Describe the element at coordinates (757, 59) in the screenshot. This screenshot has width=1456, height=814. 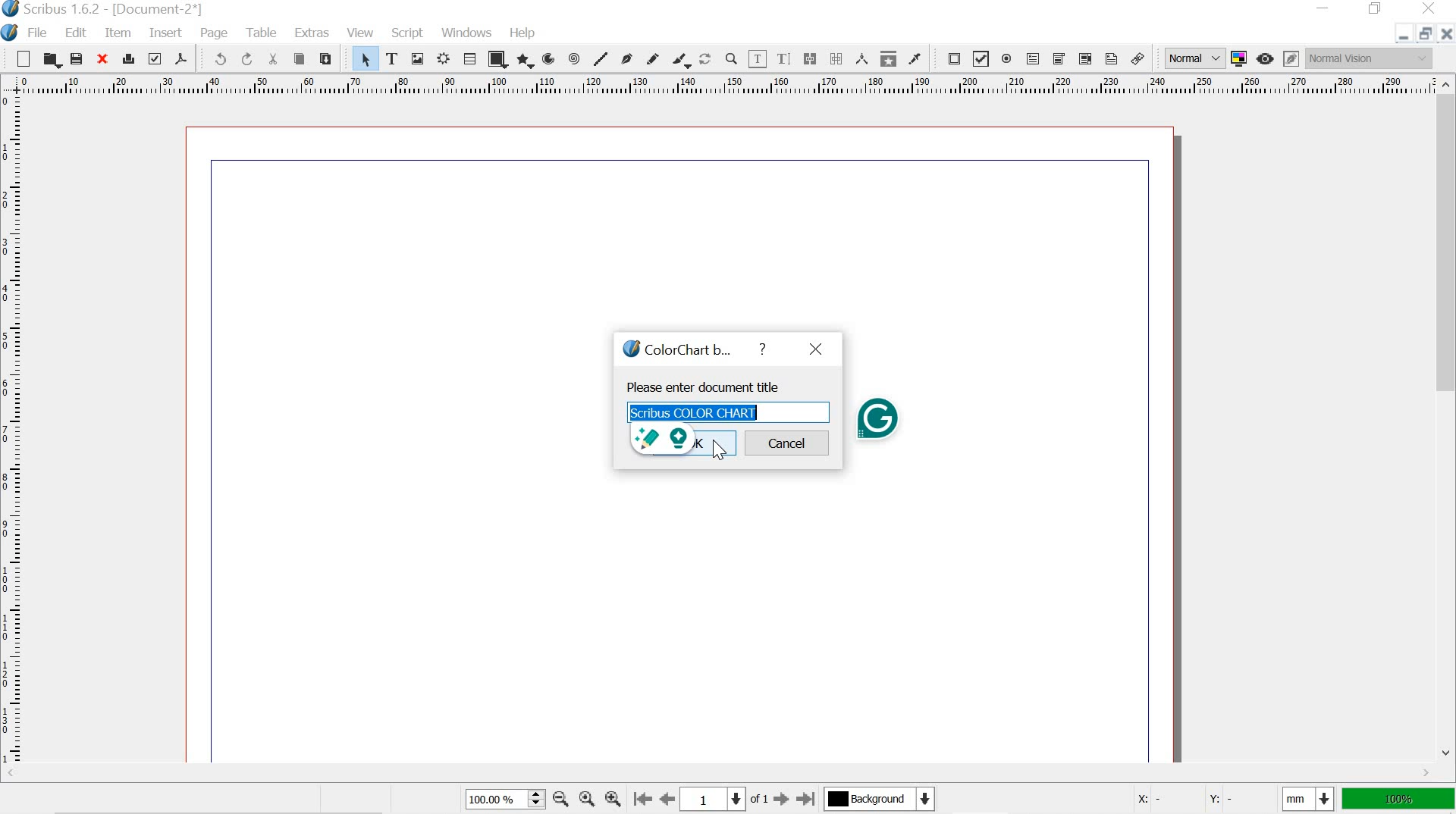
I see `edit contents of frame` at that location.